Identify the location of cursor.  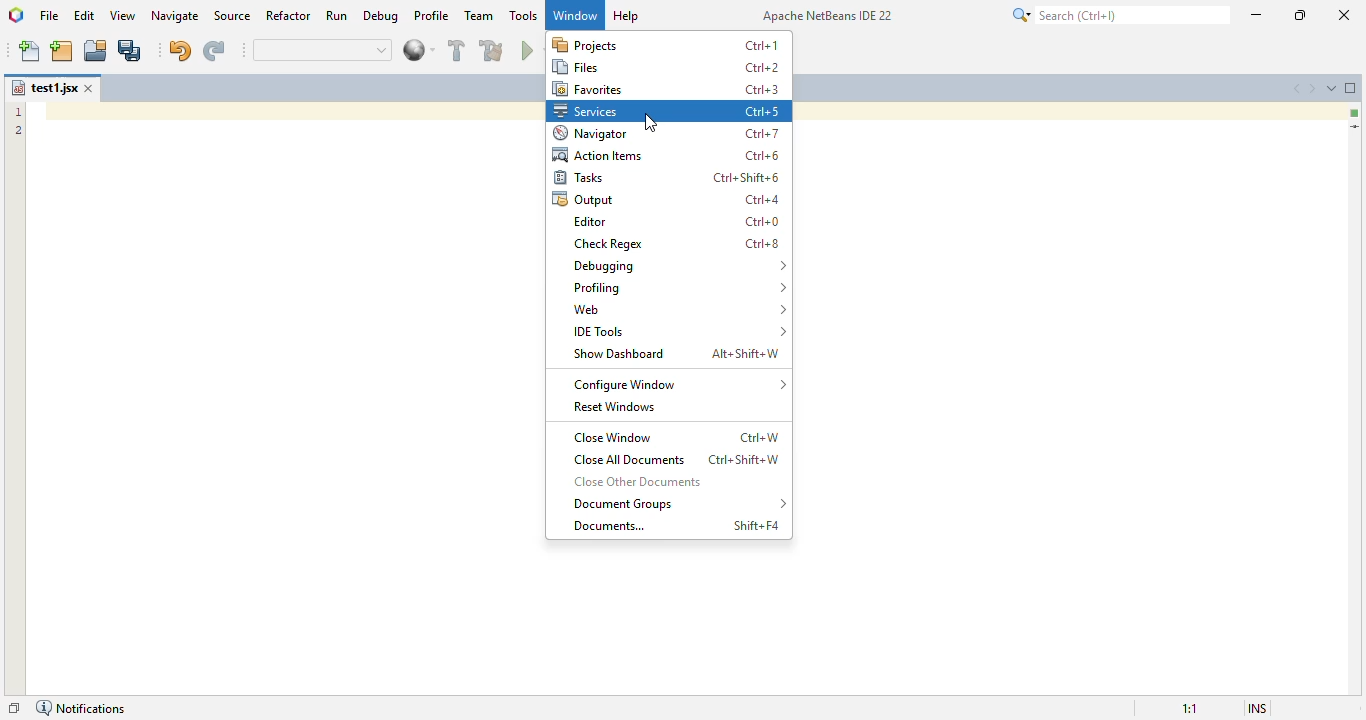
(651, 123).